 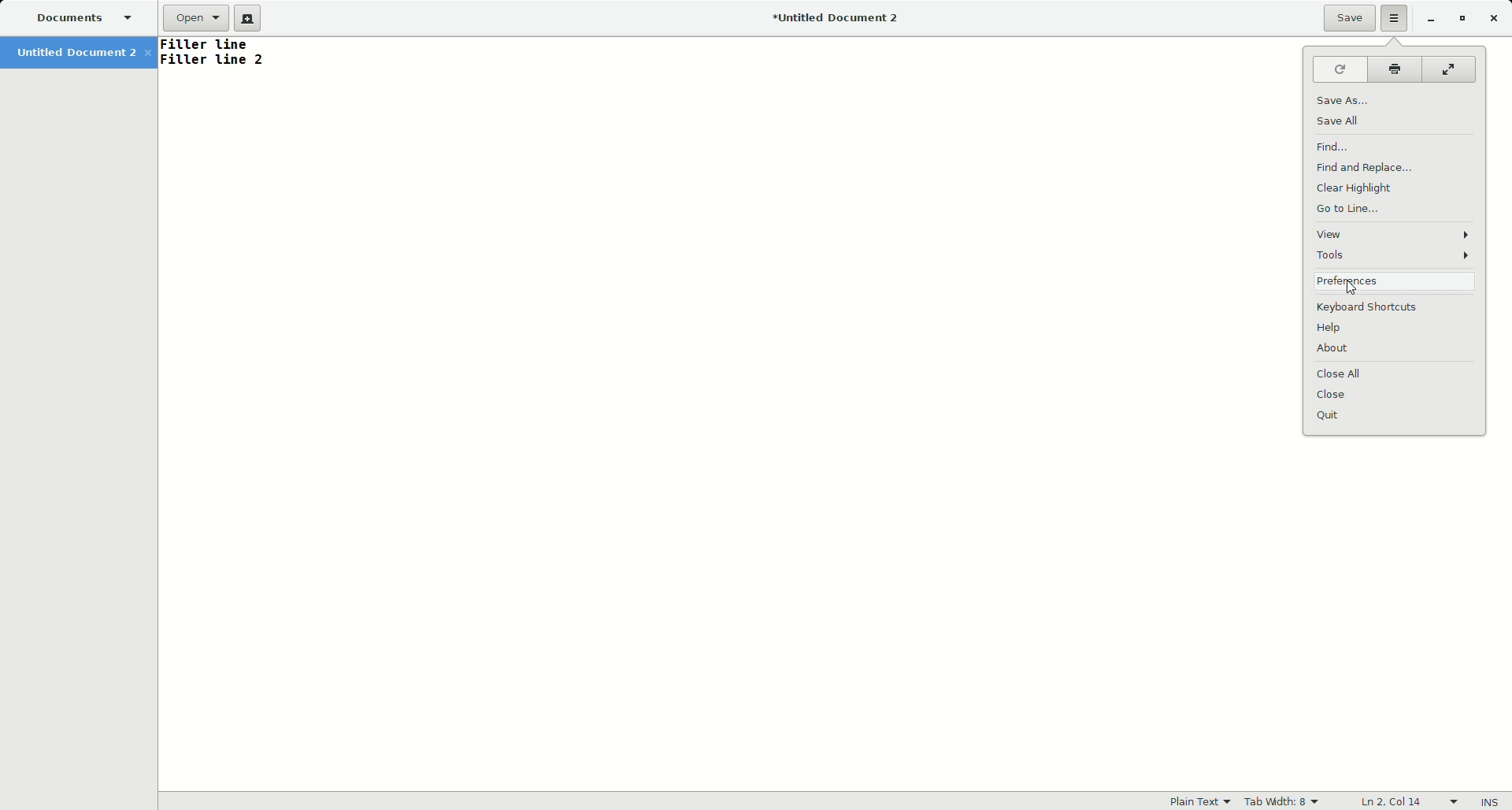 I want to click on Help, so click(x=1399, y=329).